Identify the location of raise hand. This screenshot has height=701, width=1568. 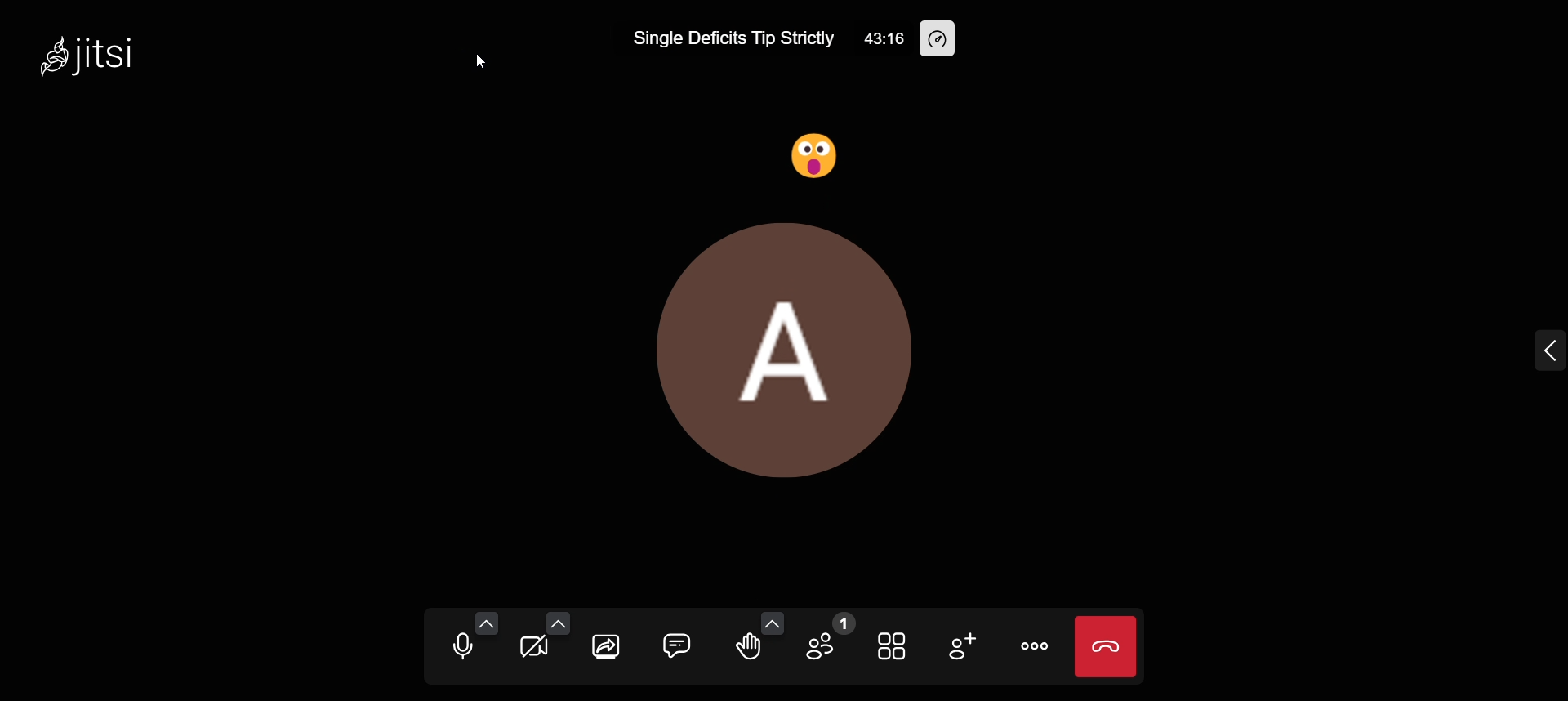
(744, 649).